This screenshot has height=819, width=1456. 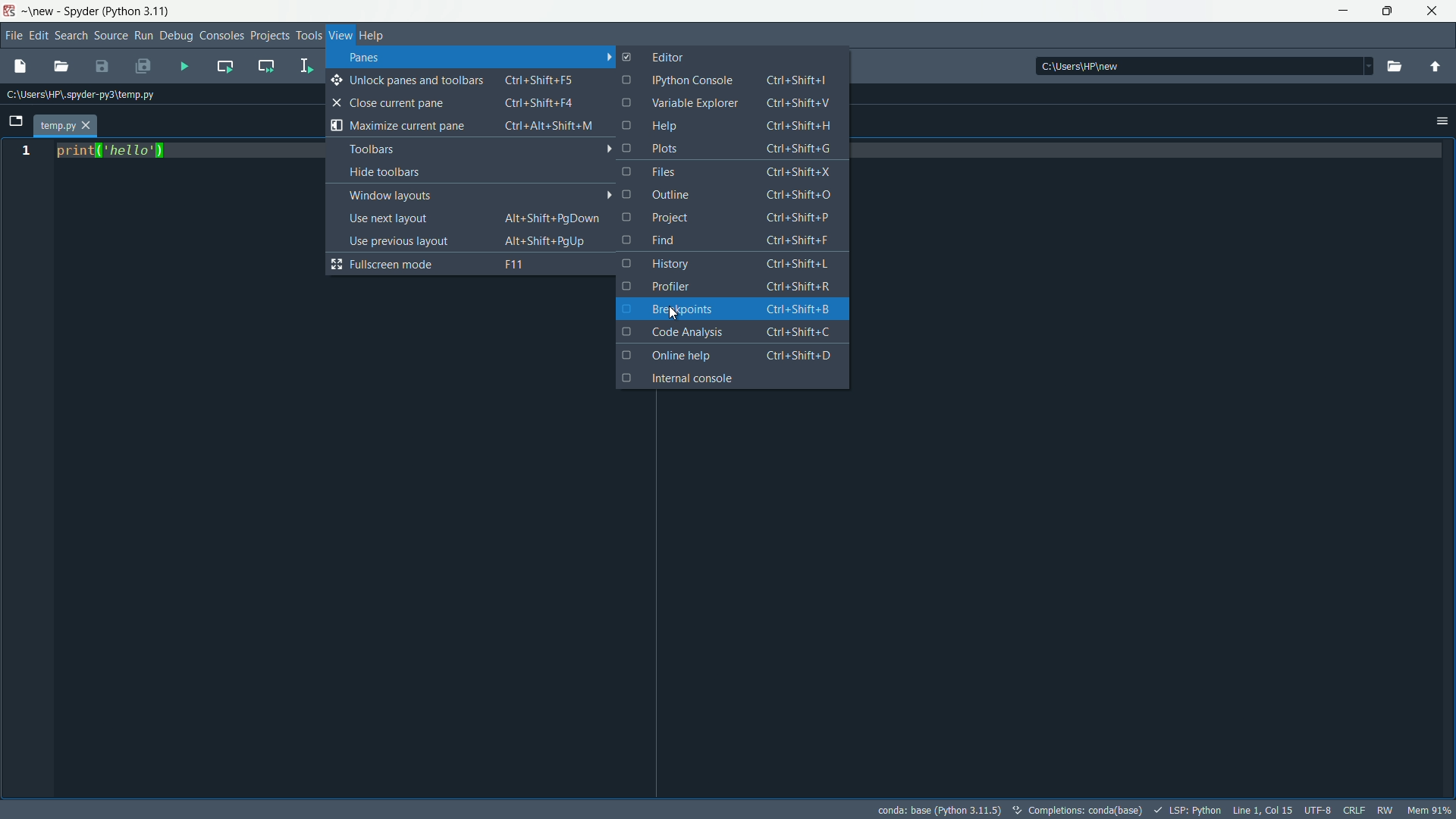 I want to click on ipython console, so click(x=726, y=80).